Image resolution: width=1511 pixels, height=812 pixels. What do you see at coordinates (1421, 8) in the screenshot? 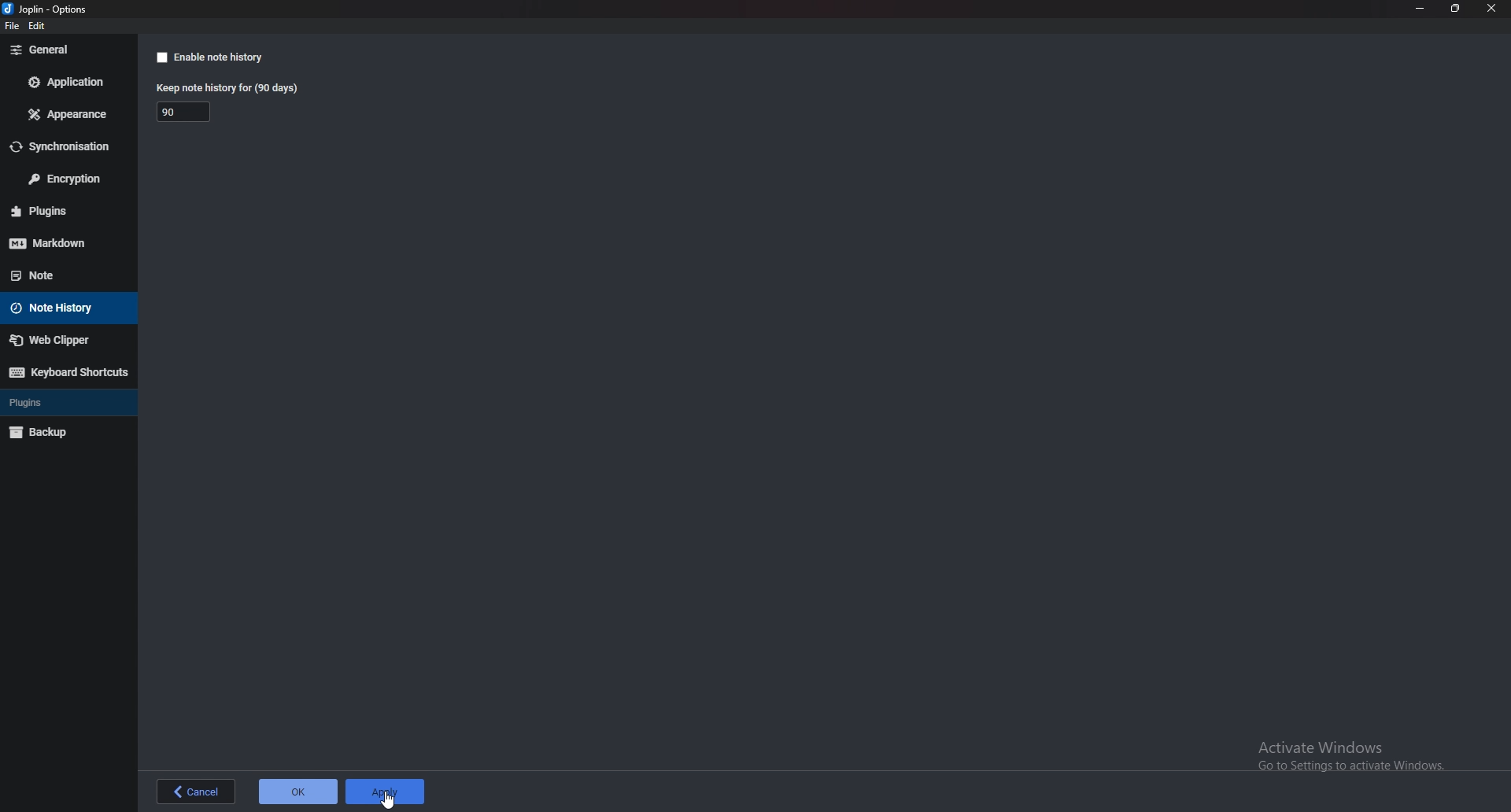
I see `minimize` at bounding box center [1421, 8].